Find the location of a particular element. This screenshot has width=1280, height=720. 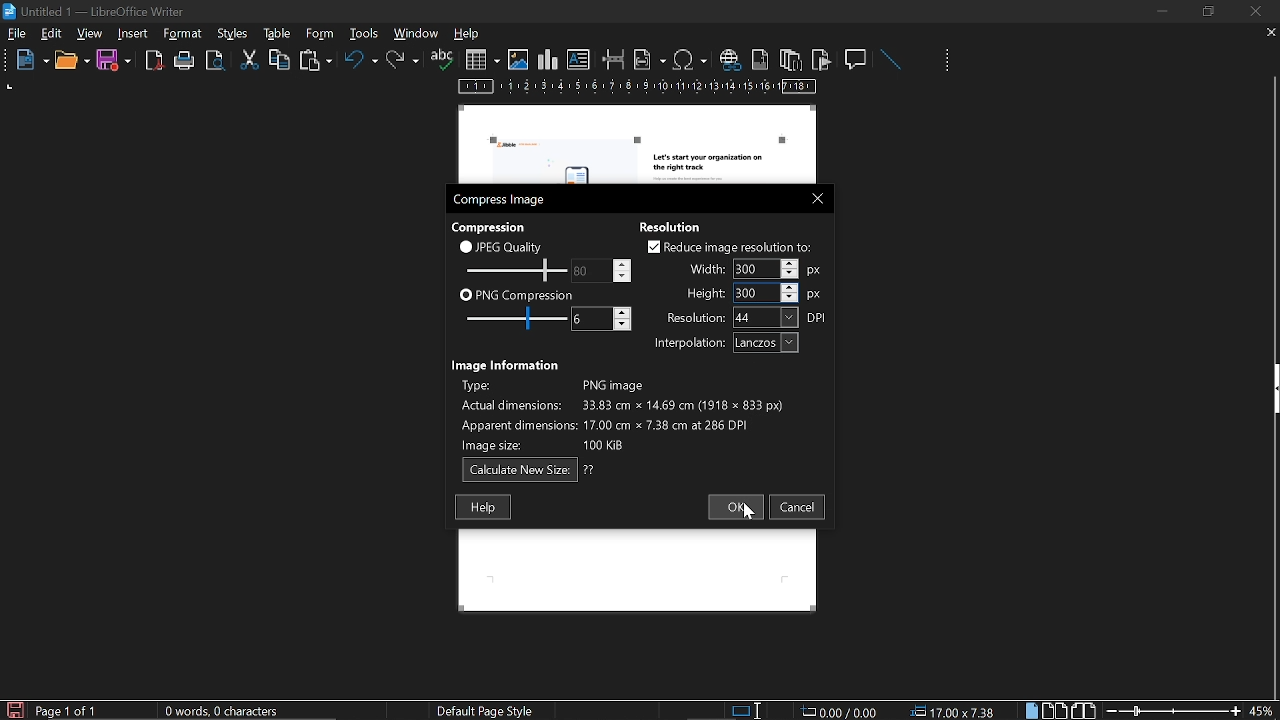

edit is located at coordinates (52, 35).